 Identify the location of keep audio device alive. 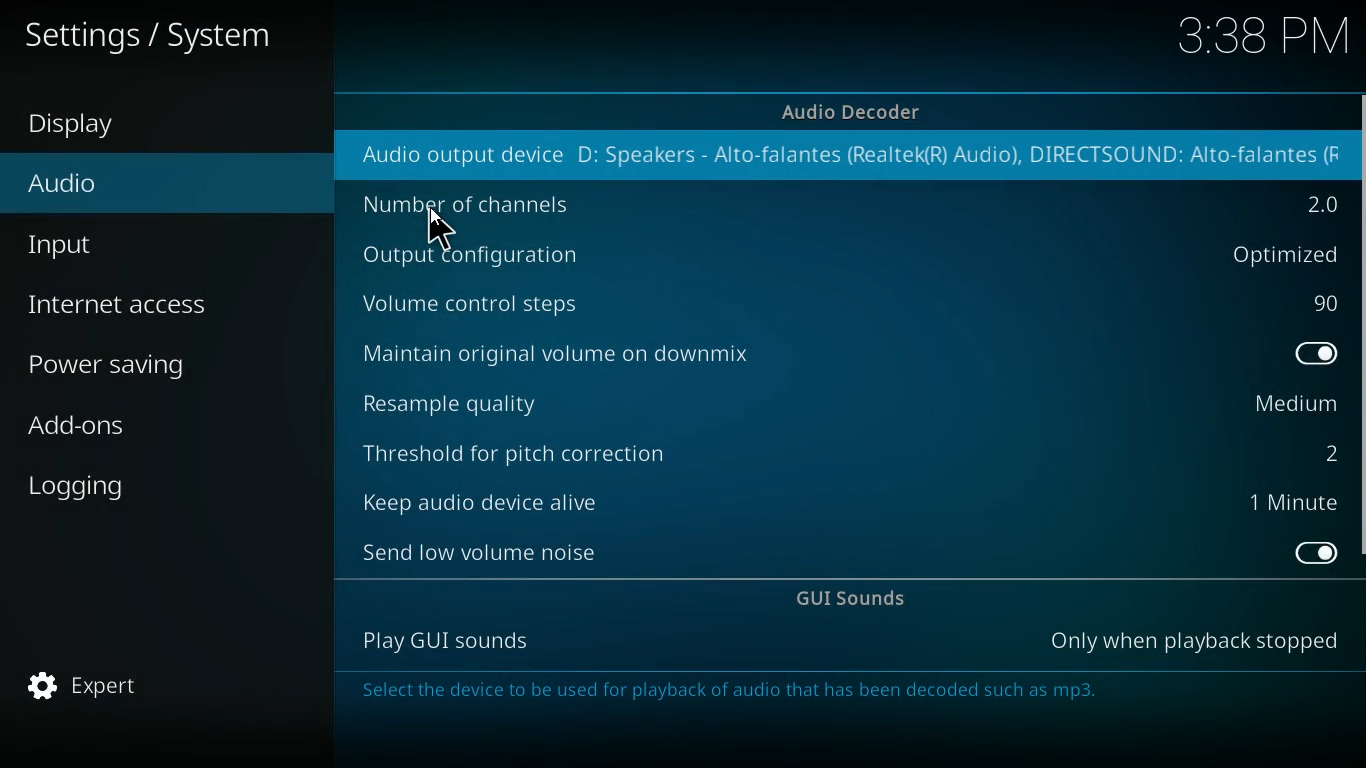
(480, 496).